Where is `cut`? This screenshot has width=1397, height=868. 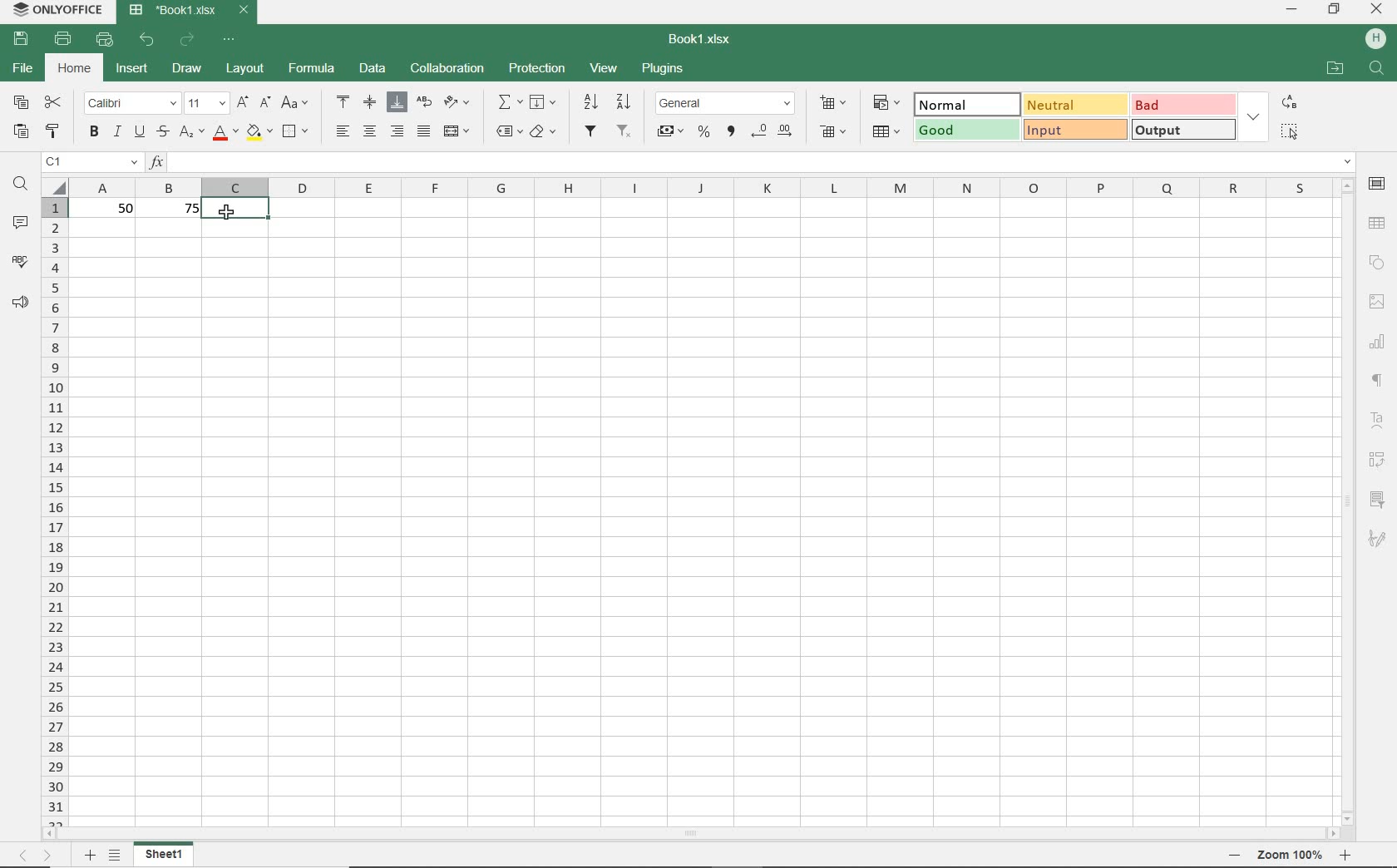 cut is located at coordinates (54, 103).